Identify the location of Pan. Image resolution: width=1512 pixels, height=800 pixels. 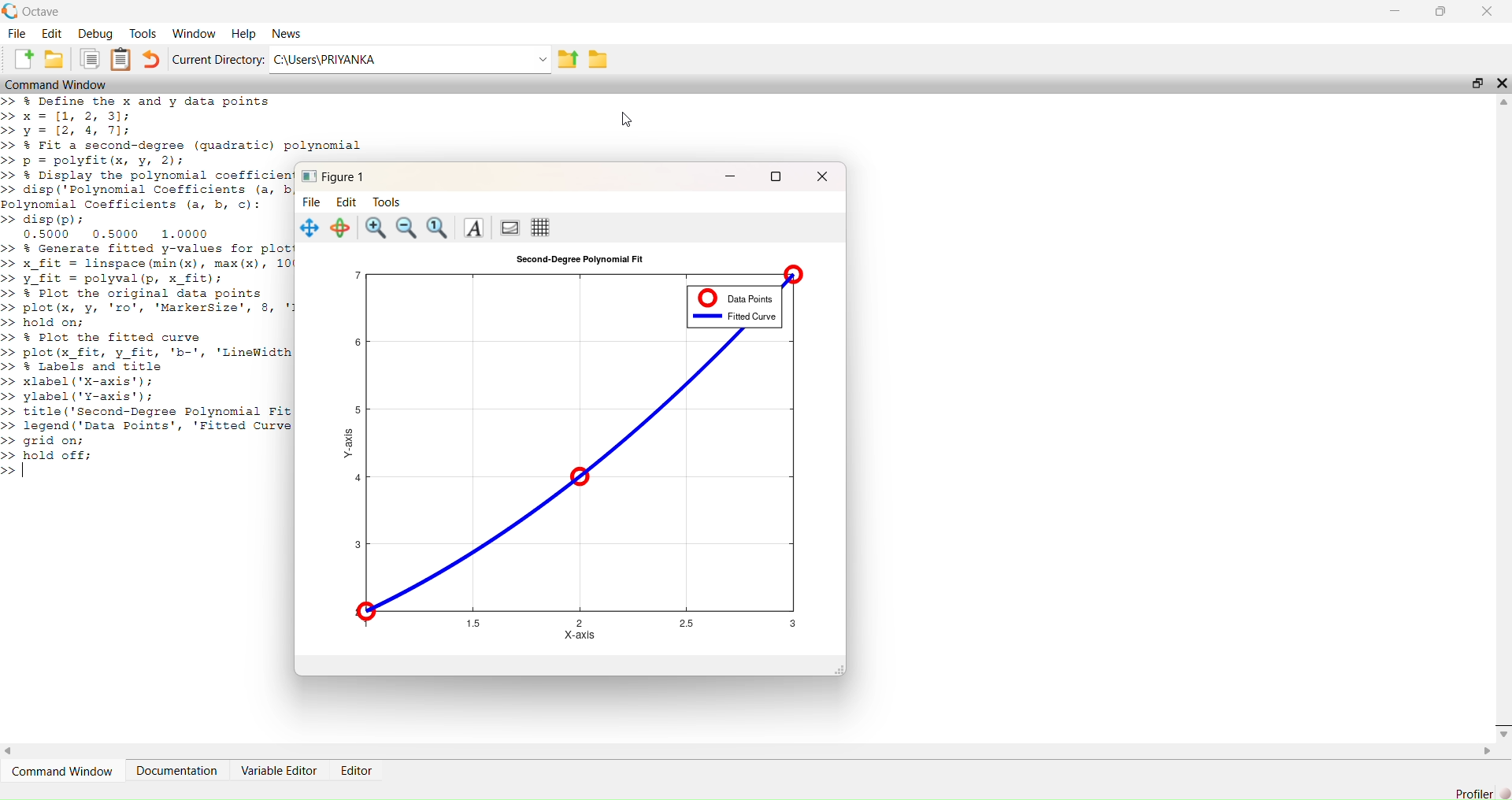
(309, 228).